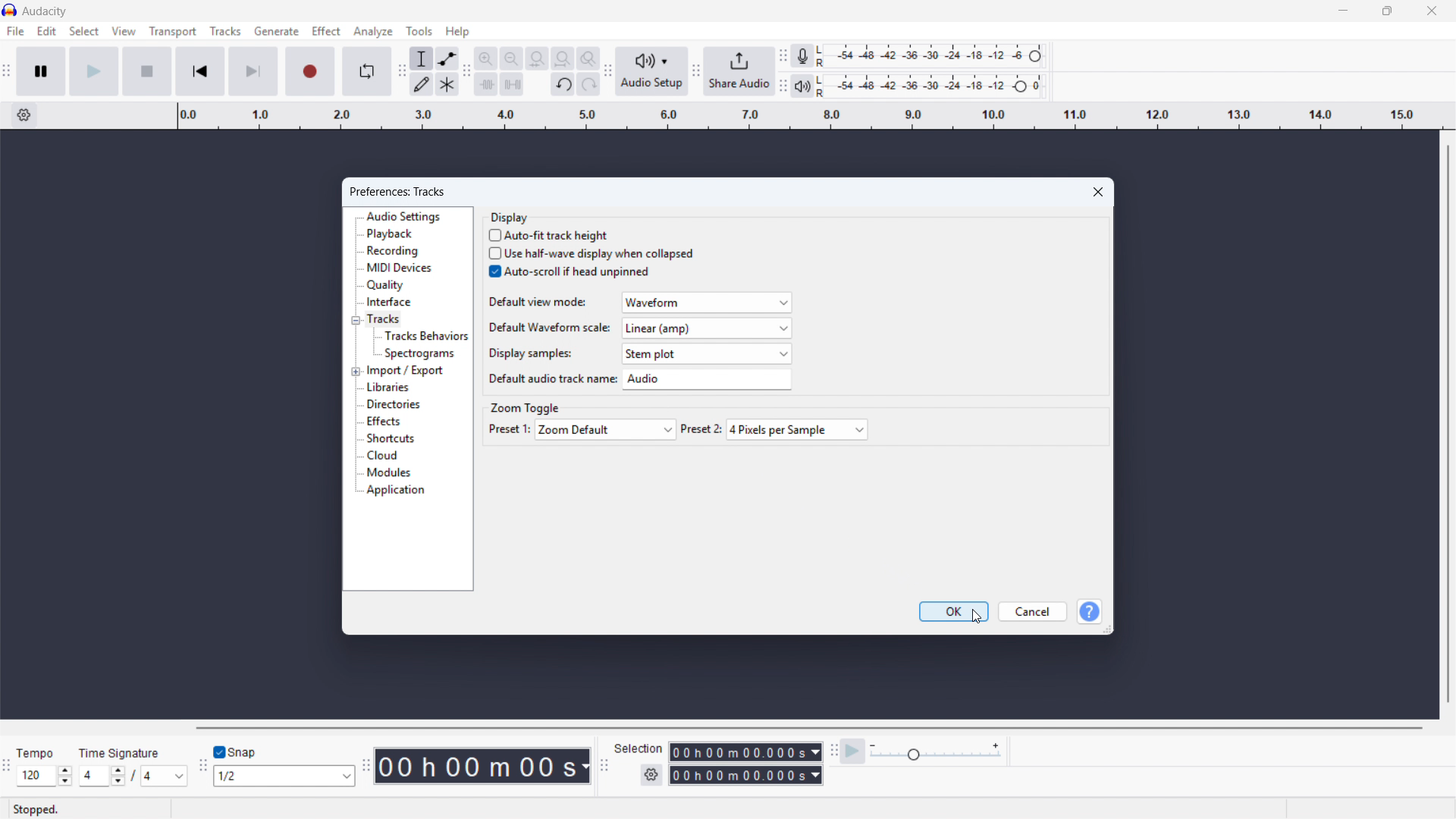  What do you see at coordinates (1088, 611) in the screenshot?
I see `help` at bounding box center [1088, 611].